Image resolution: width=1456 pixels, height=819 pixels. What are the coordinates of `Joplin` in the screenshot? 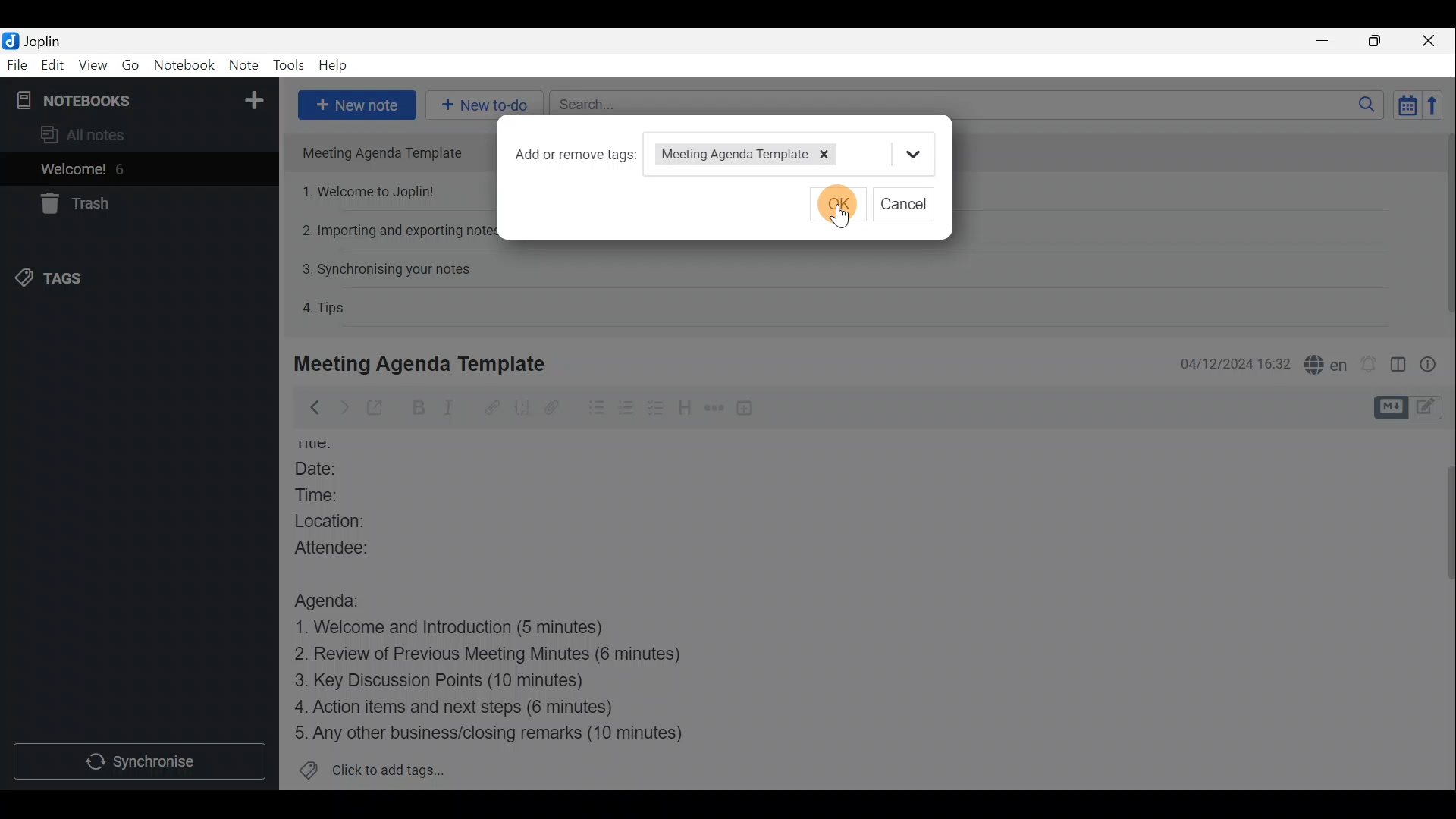 It's located at (42, 40).